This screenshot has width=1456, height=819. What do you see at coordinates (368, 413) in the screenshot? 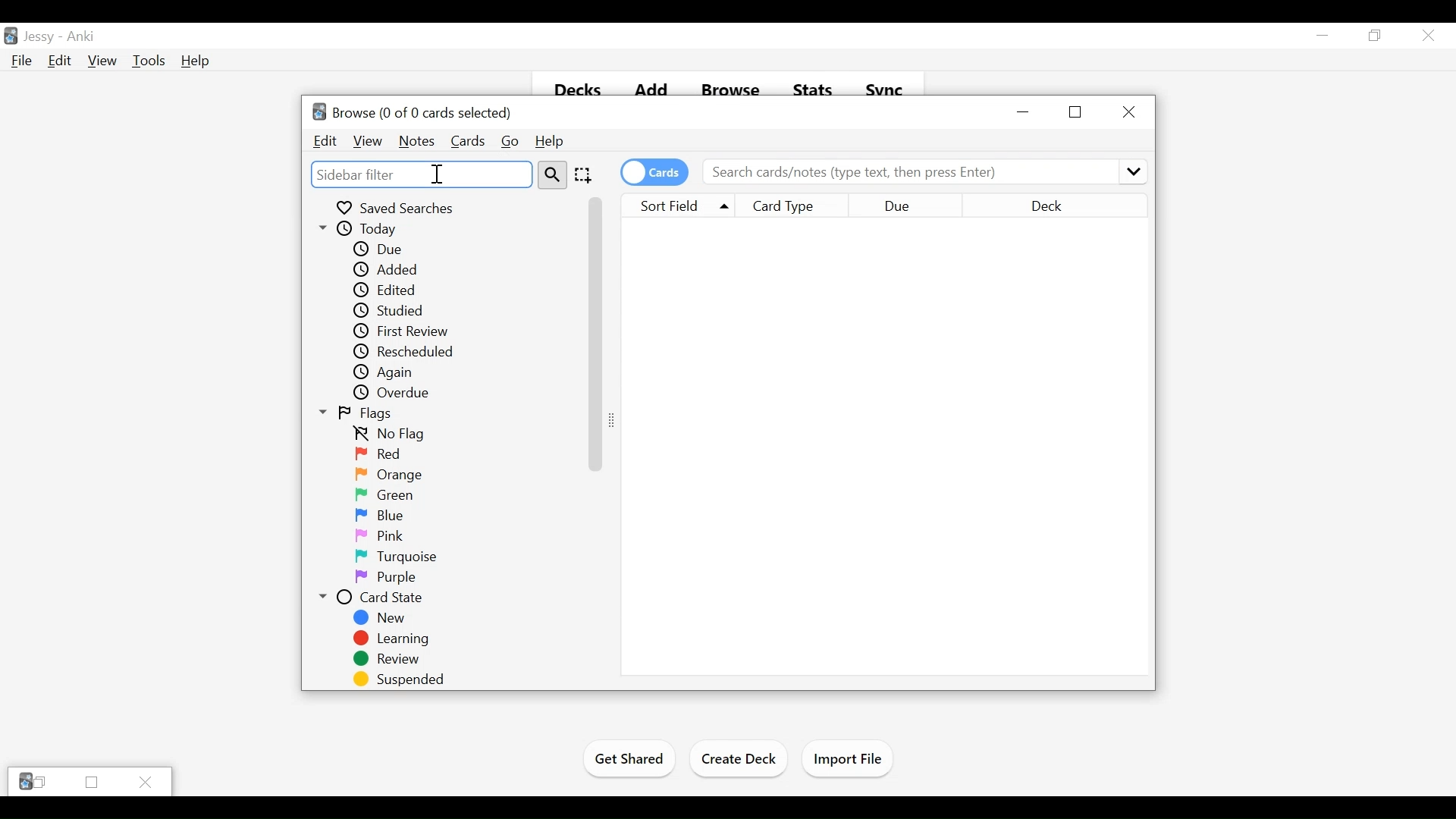
I see `Flags` at bounding box center [368, 413].